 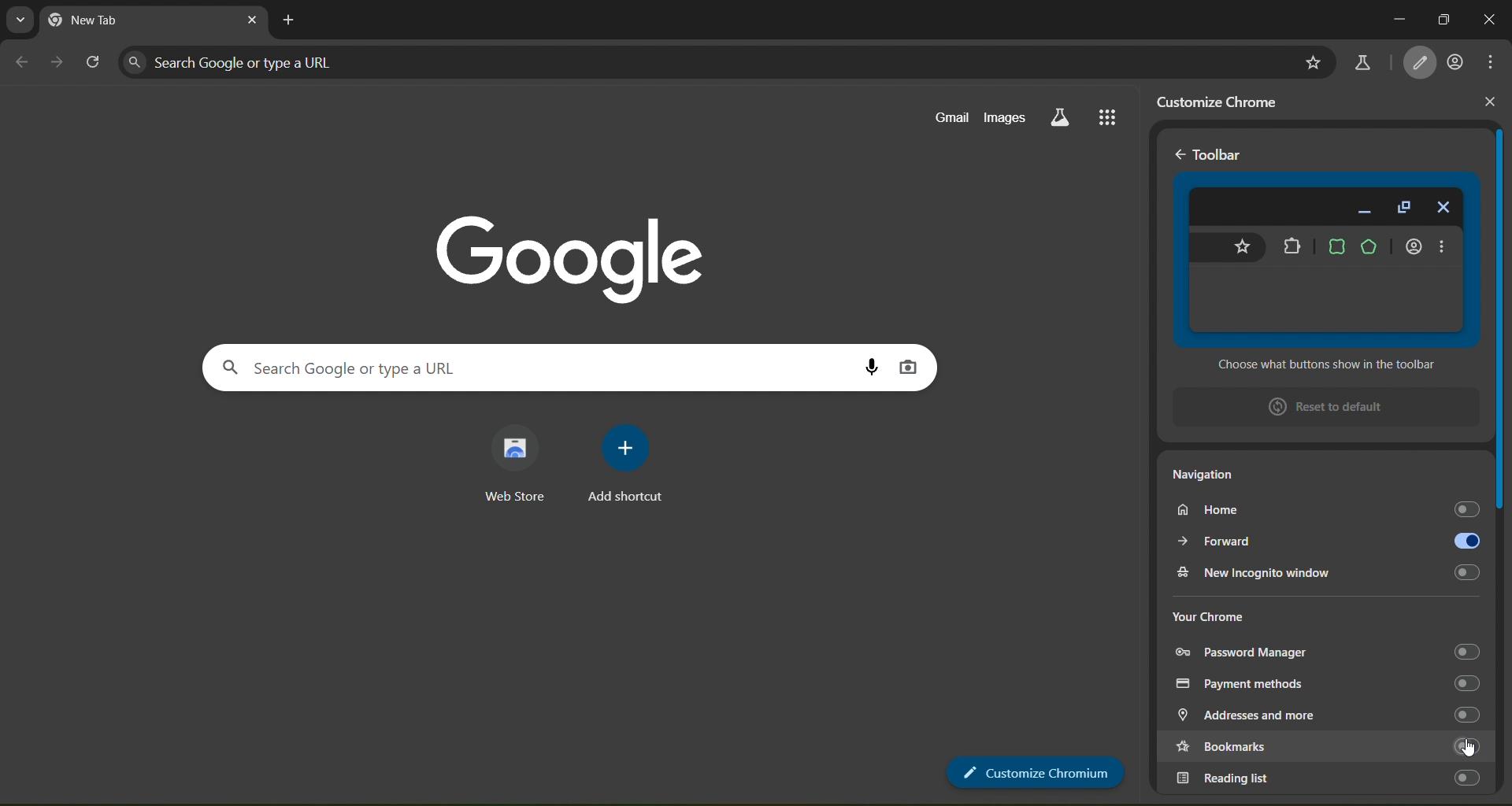 What do you see at coordinates (1421, 63) in the screenshot?
I see `customize chrome` at bounding box center [1421, 63].